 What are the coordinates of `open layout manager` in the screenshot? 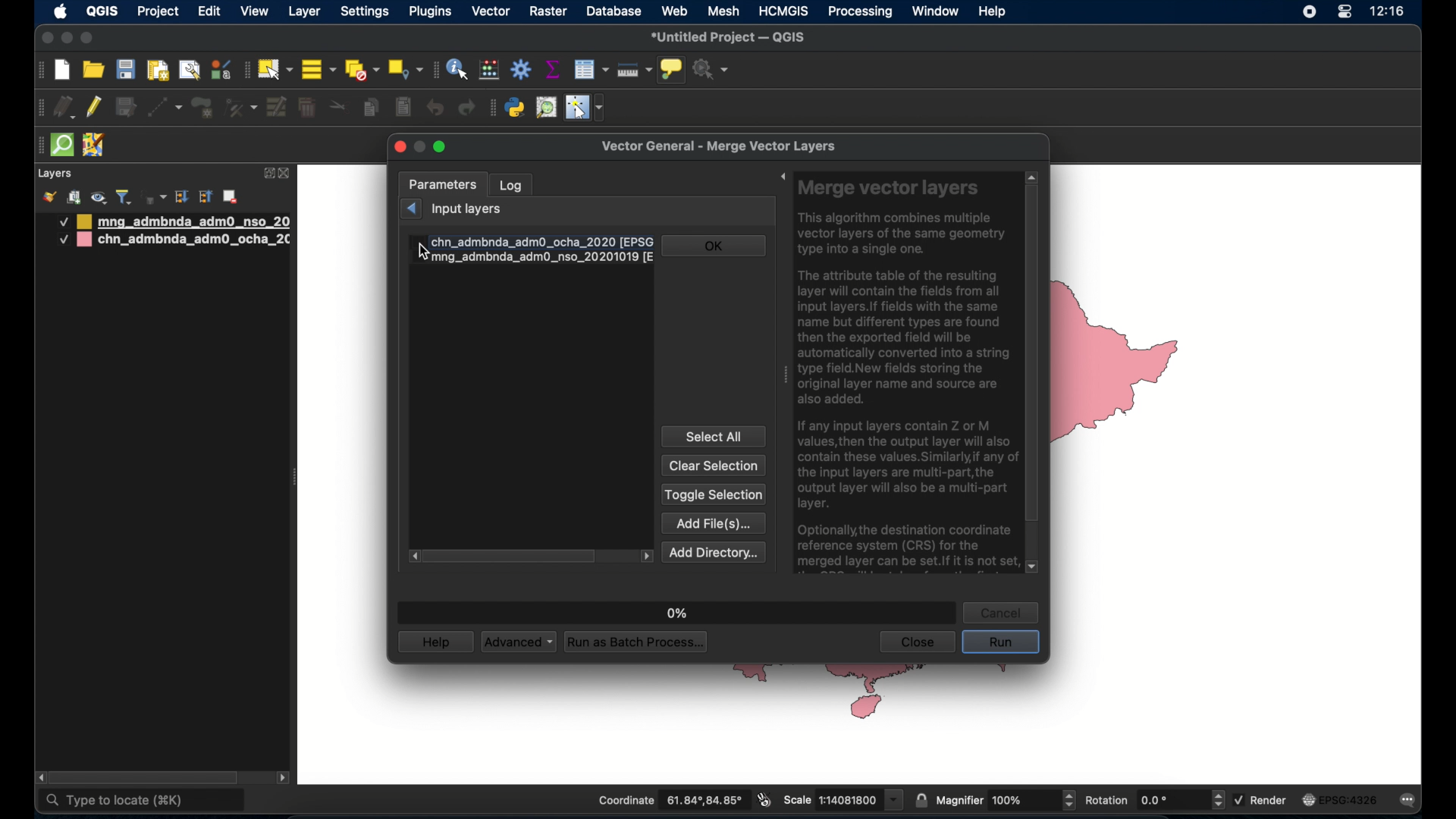 It's located at (189, 70).